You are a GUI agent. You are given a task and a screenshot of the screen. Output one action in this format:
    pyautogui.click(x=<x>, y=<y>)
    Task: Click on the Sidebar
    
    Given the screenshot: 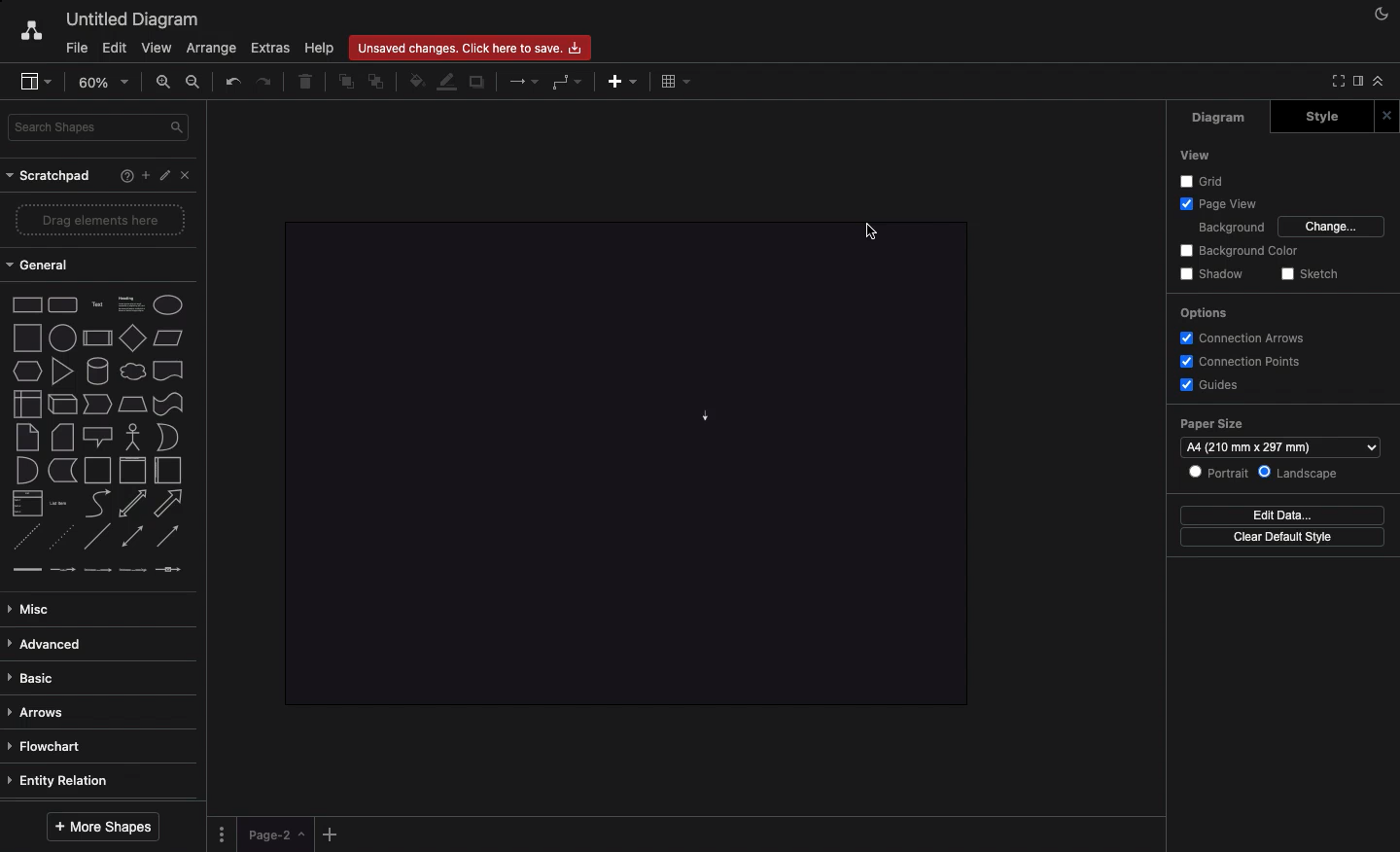 What is the action you would take?
    pyautogui.click(x=1356, y=83)
    